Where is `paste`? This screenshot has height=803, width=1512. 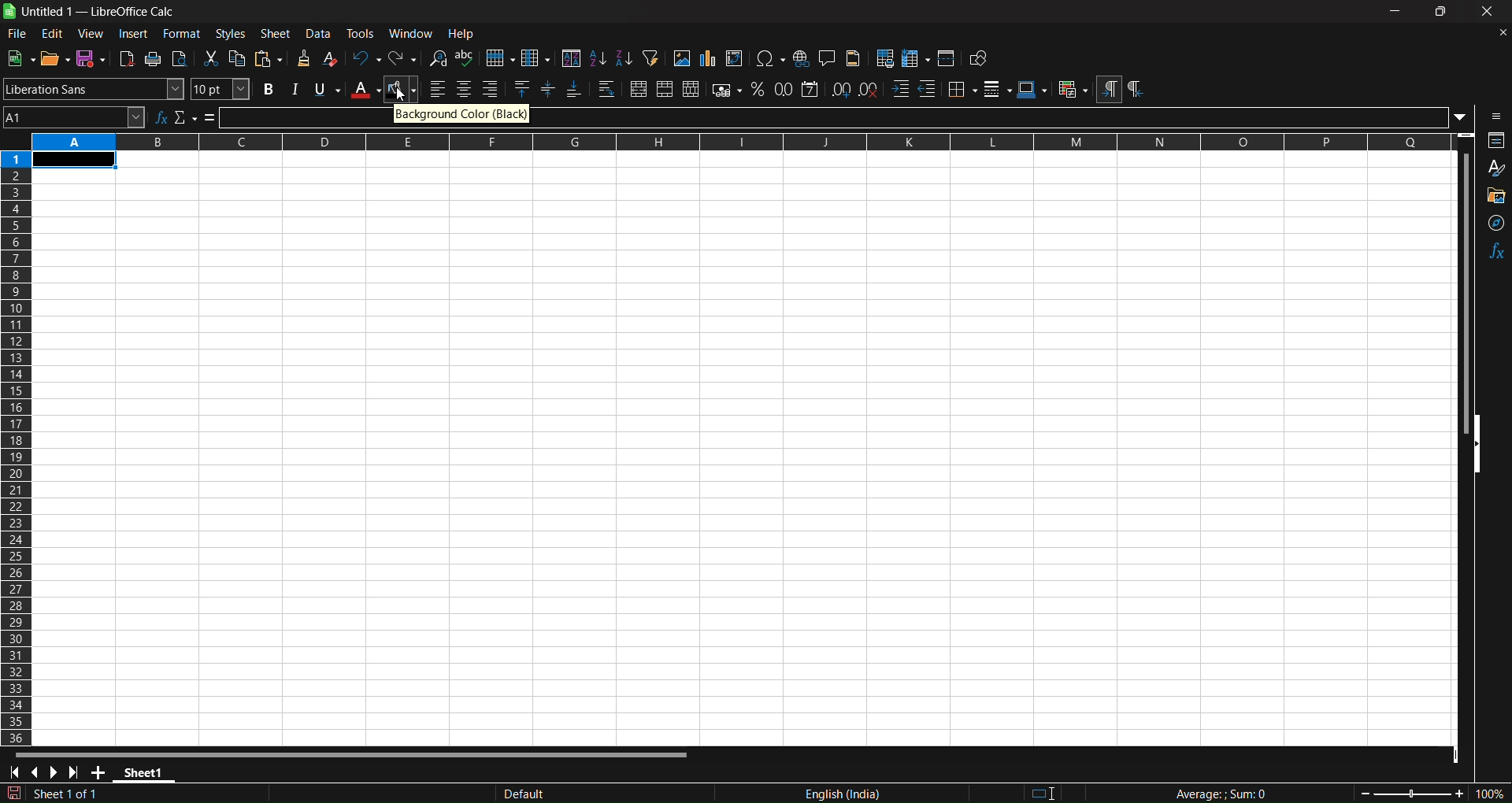 paste is located at coordinates (269, 57).